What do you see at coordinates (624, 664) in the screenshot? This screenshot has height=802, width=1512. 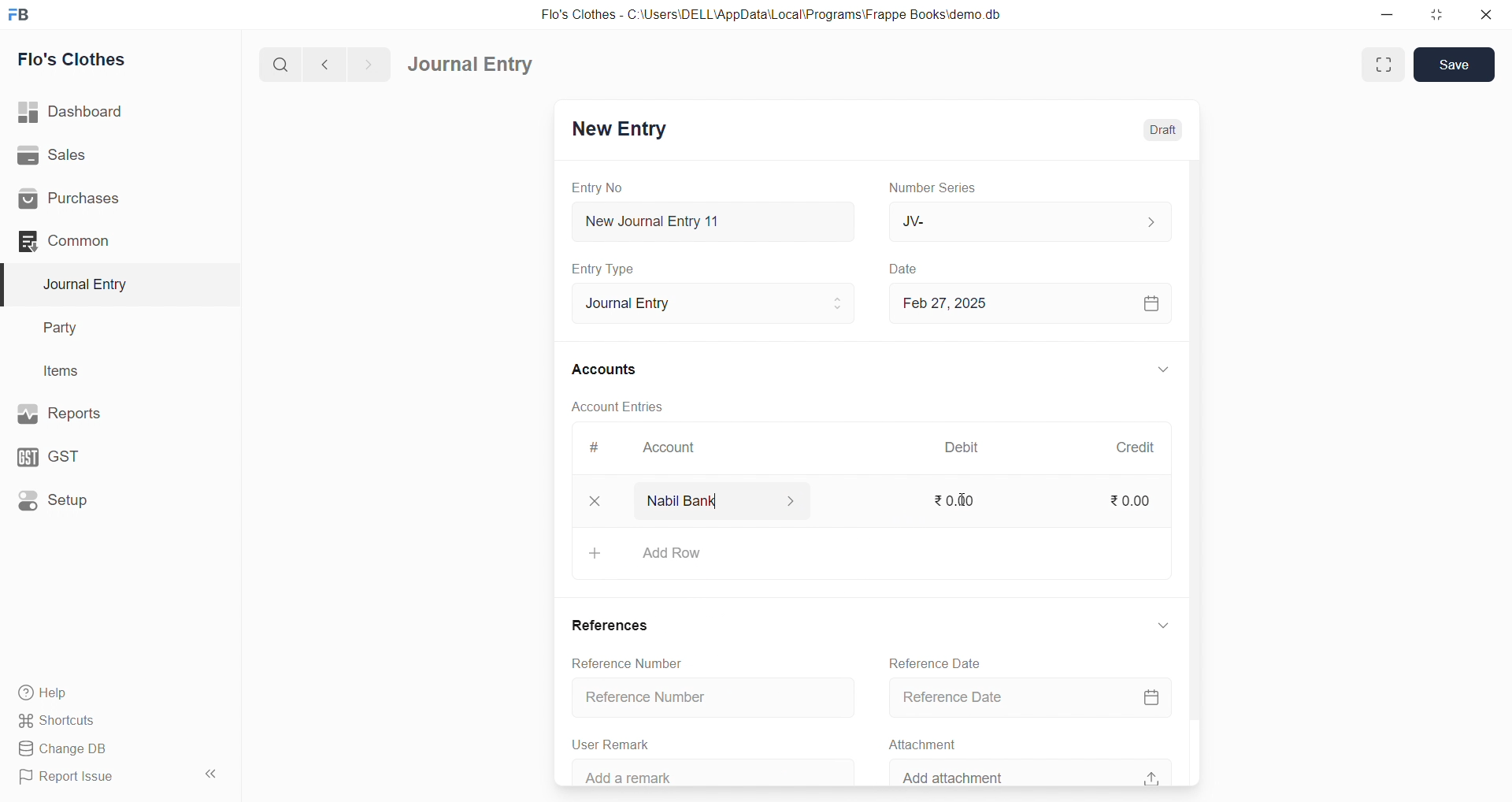 I see `Reference Number` at bounding box center [624, 664].